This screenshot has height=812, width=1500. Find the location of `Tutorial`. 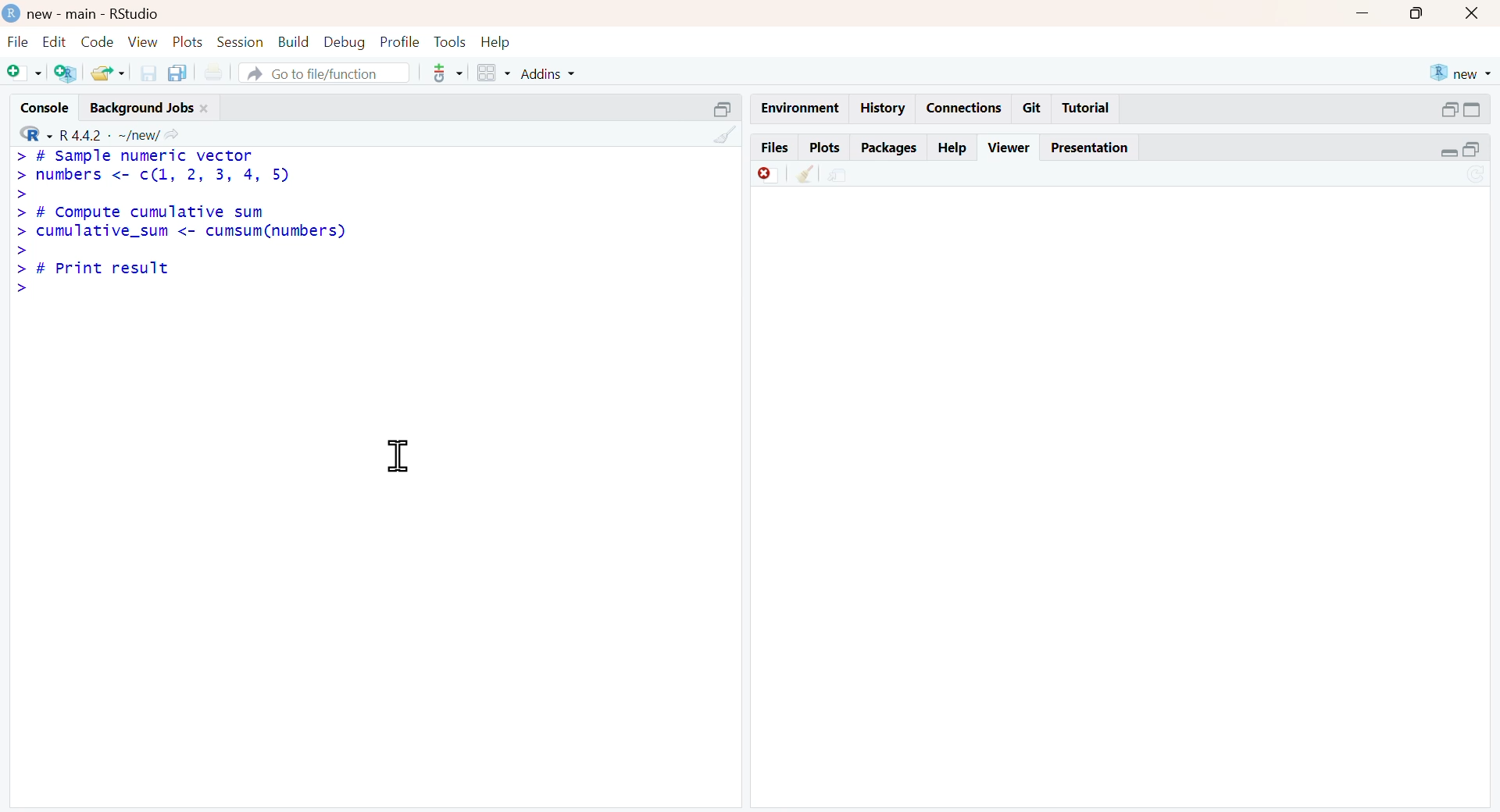

Tutorial is located at coordinates (1086, 107).